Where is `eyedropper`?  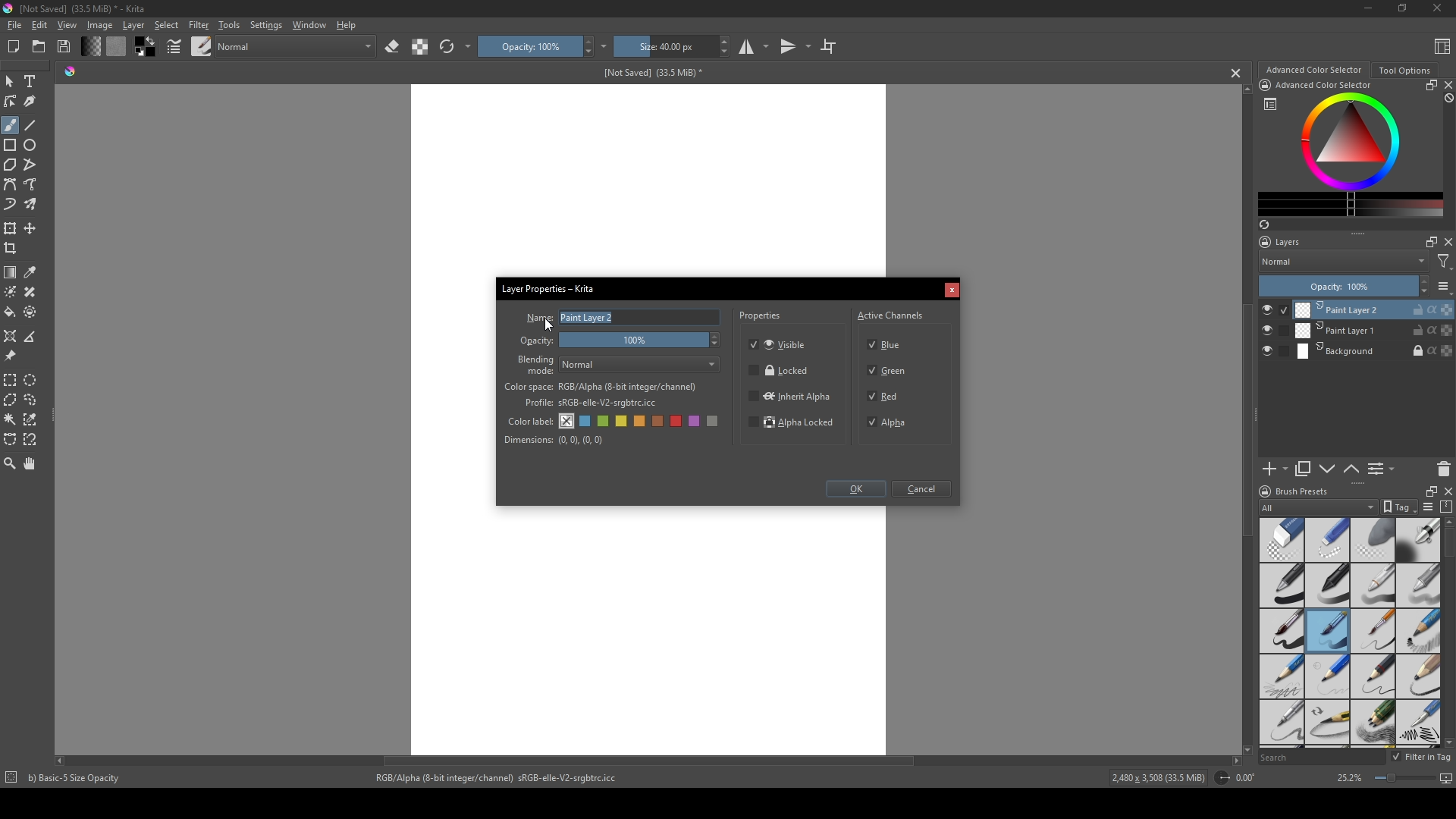 eyedropper is located at coordinates (32, 272).